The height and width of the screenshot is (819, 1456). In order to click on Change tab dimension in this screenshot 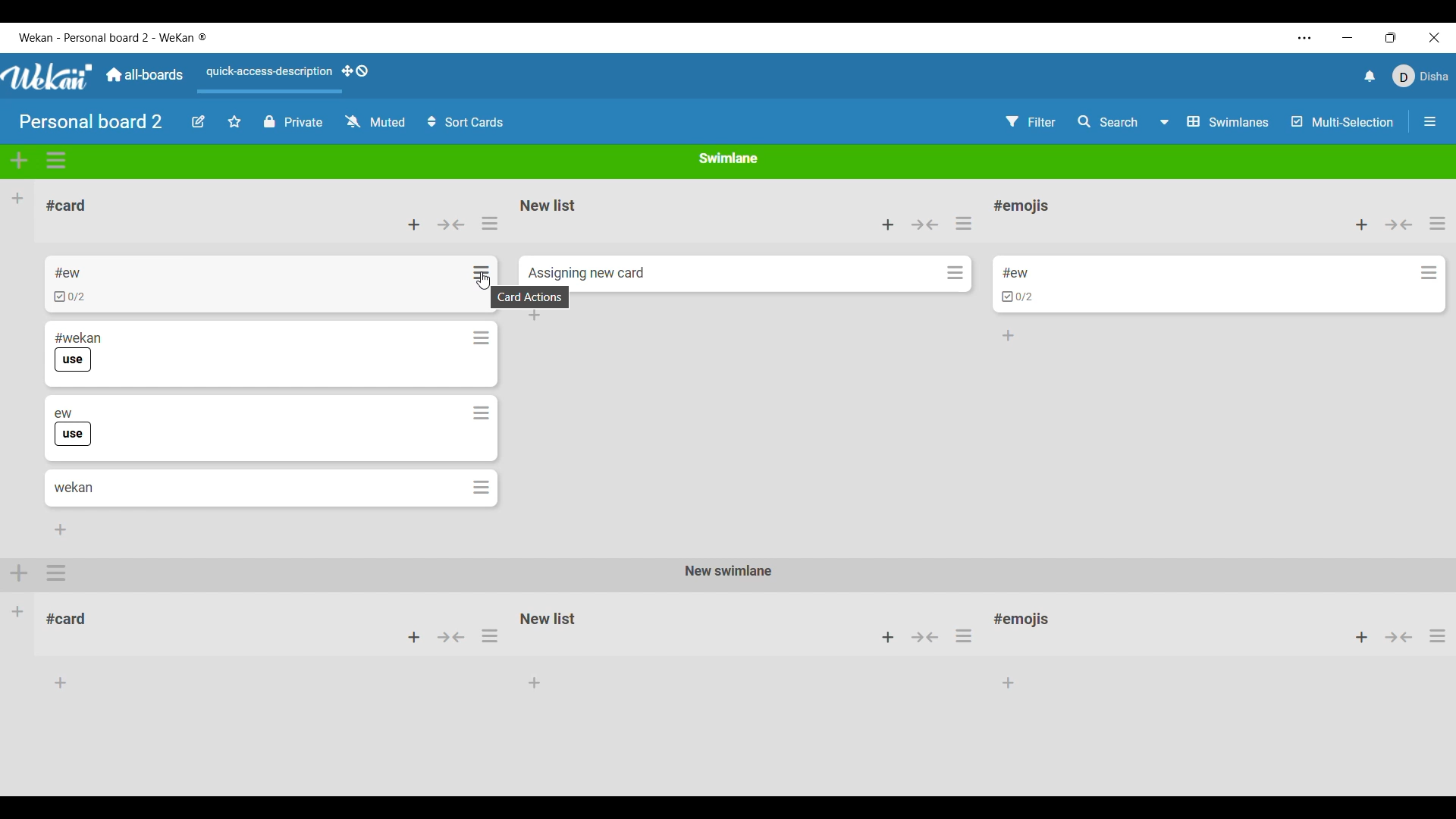, I will do `click(1391, 37)`.